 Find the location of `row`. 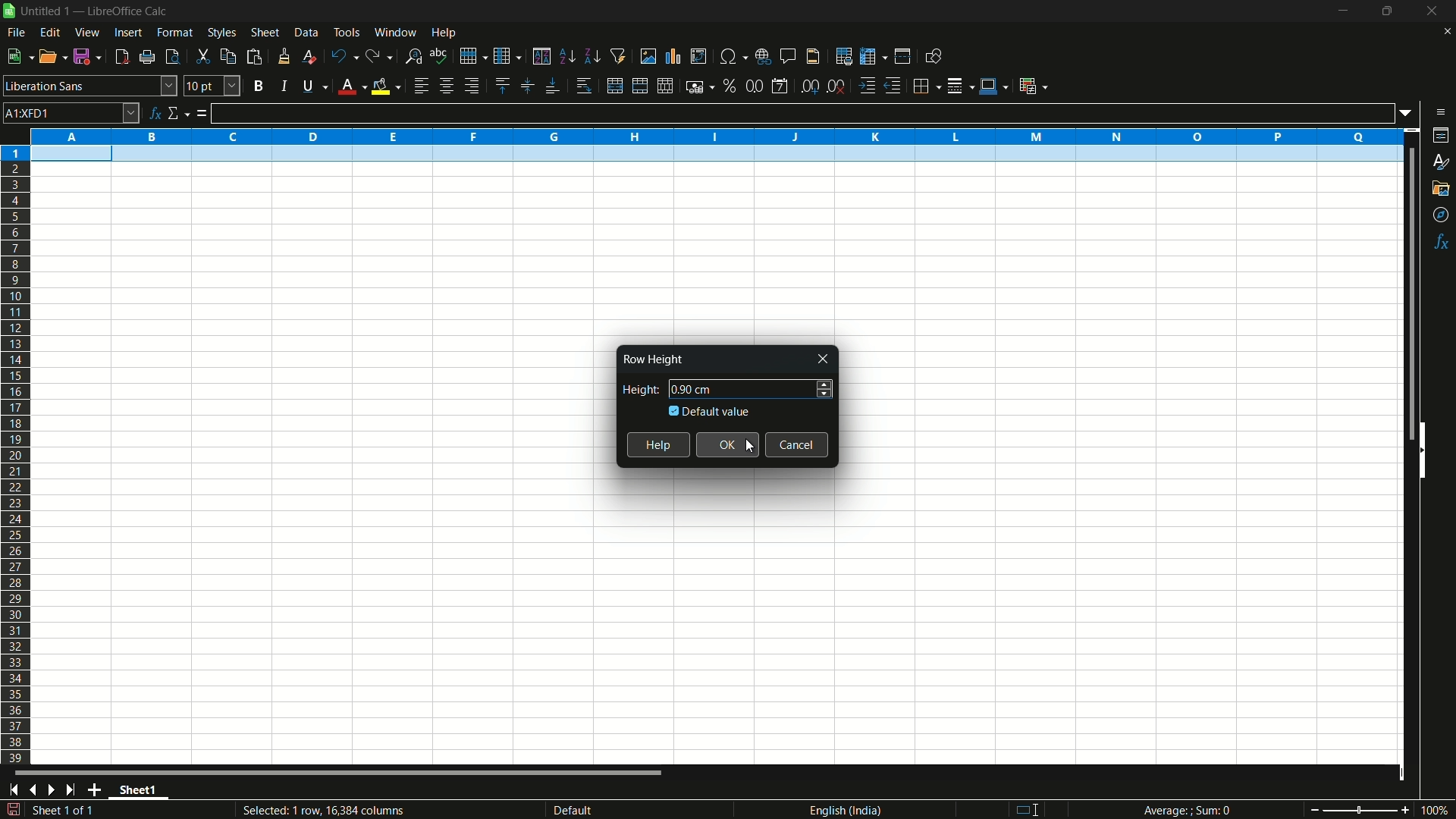

row is located at coordinates (473, 55).